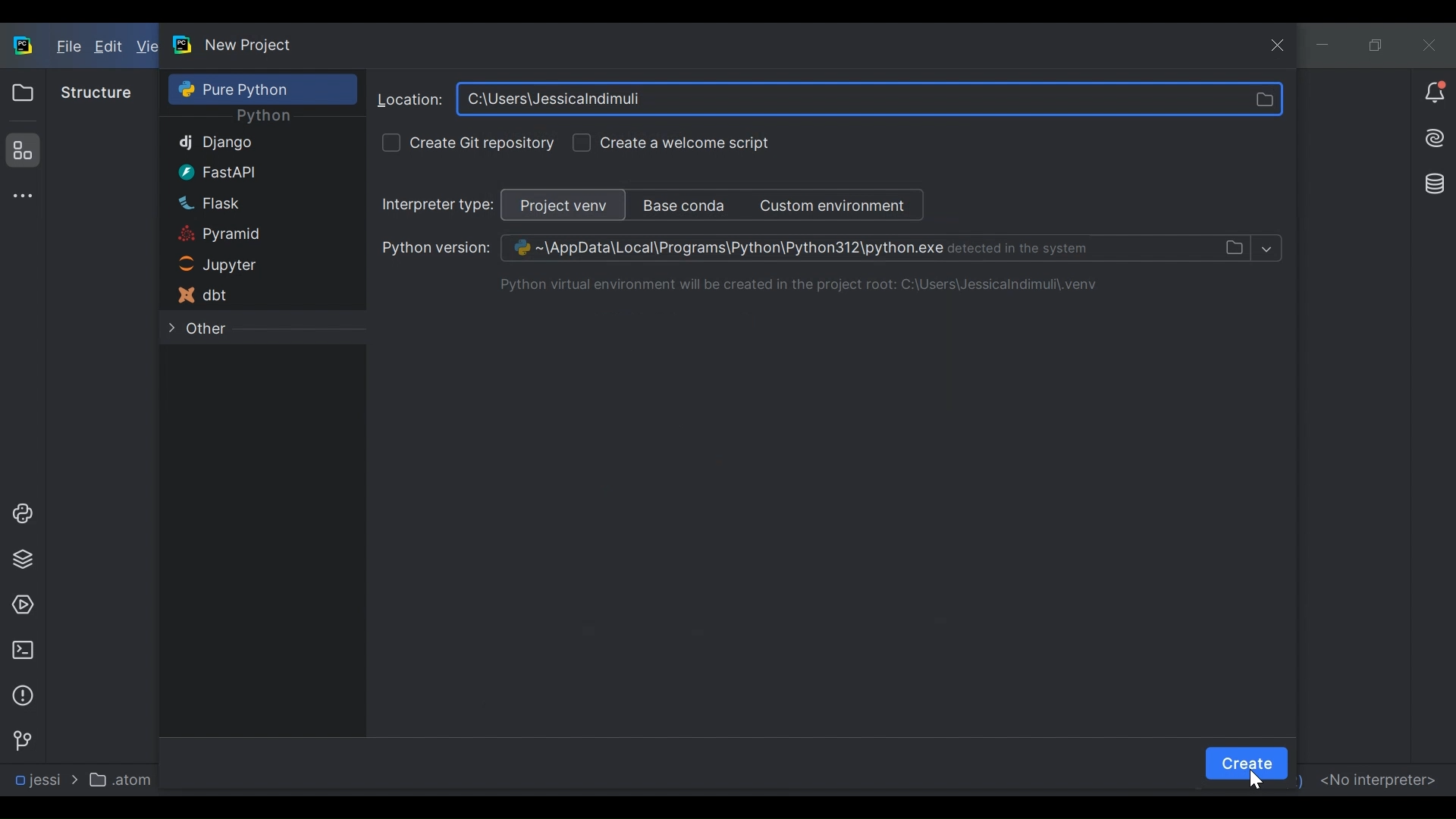 Image resolution: width=1456 pixels, height=819 pixels. What do you see at coordinates (22, 606) in the screenshot?
I see `Services` at bounding box center [22, 606].